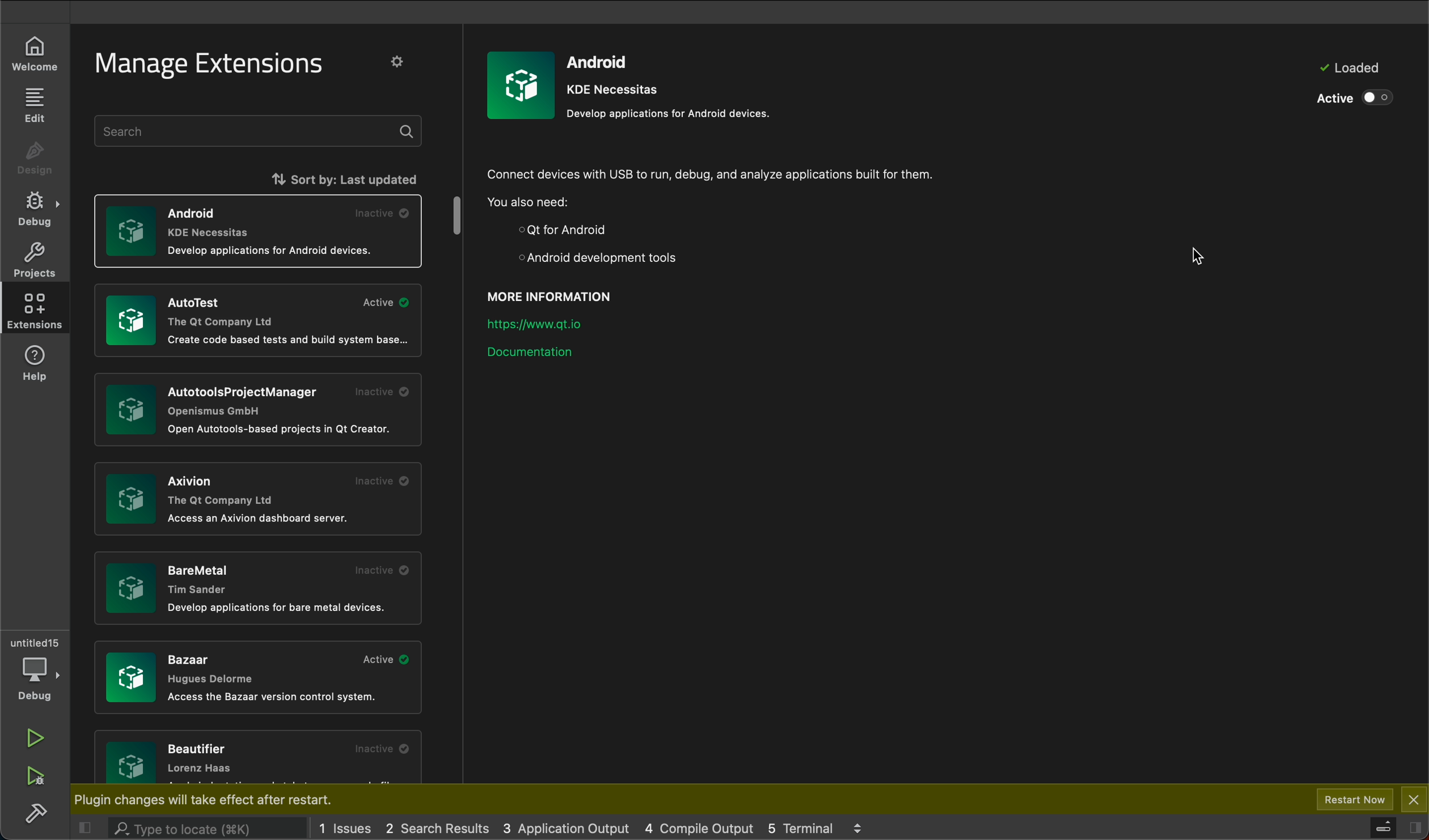  I want to click on loaded, so click(1347, 68).